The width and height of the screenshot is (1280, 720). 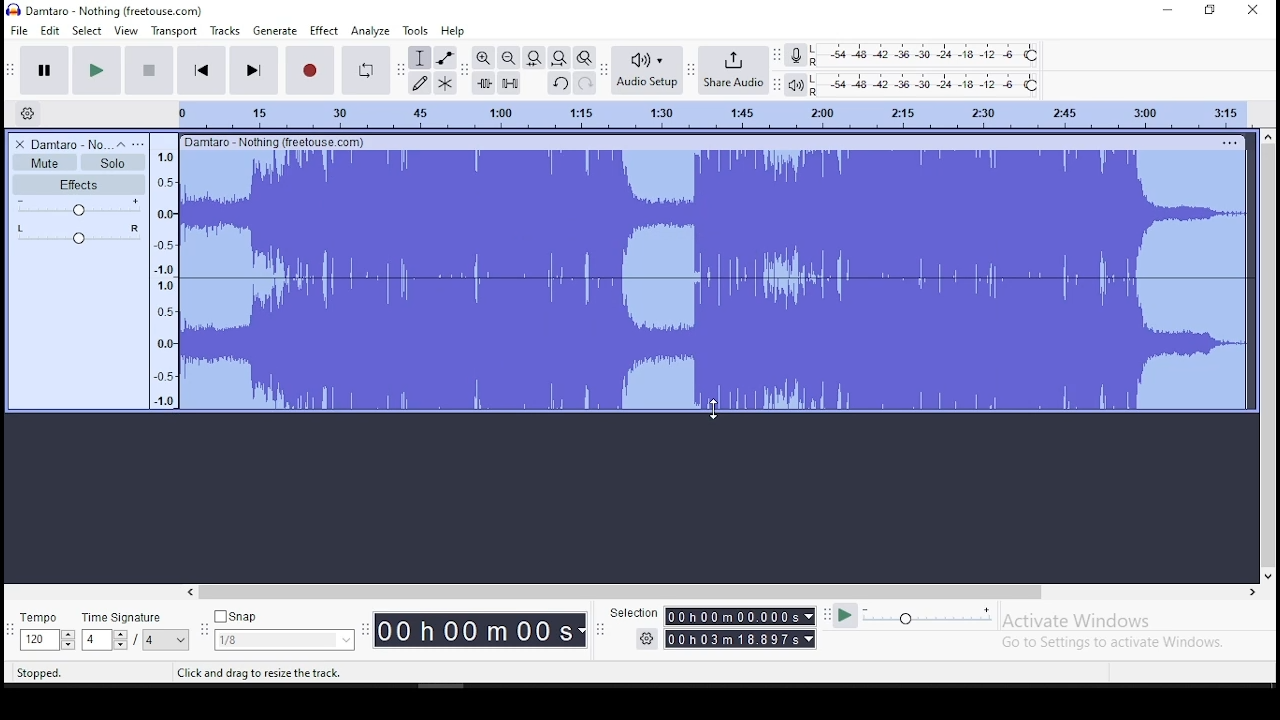 I want to click on help, so click(x=454, y=30).